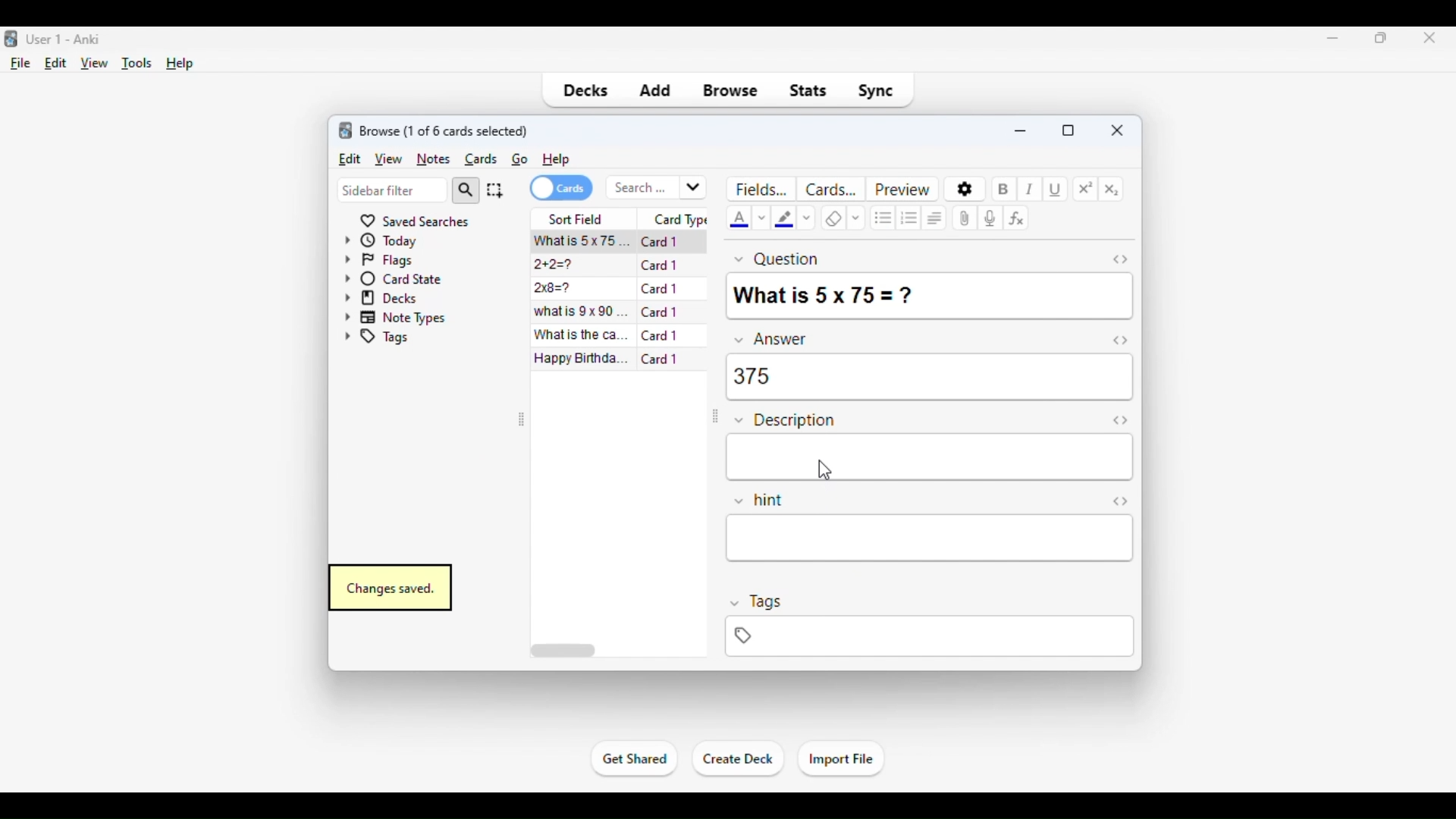  Describe the element at coordinates (836, 190) in the screenshot. I see `cards` at that location.